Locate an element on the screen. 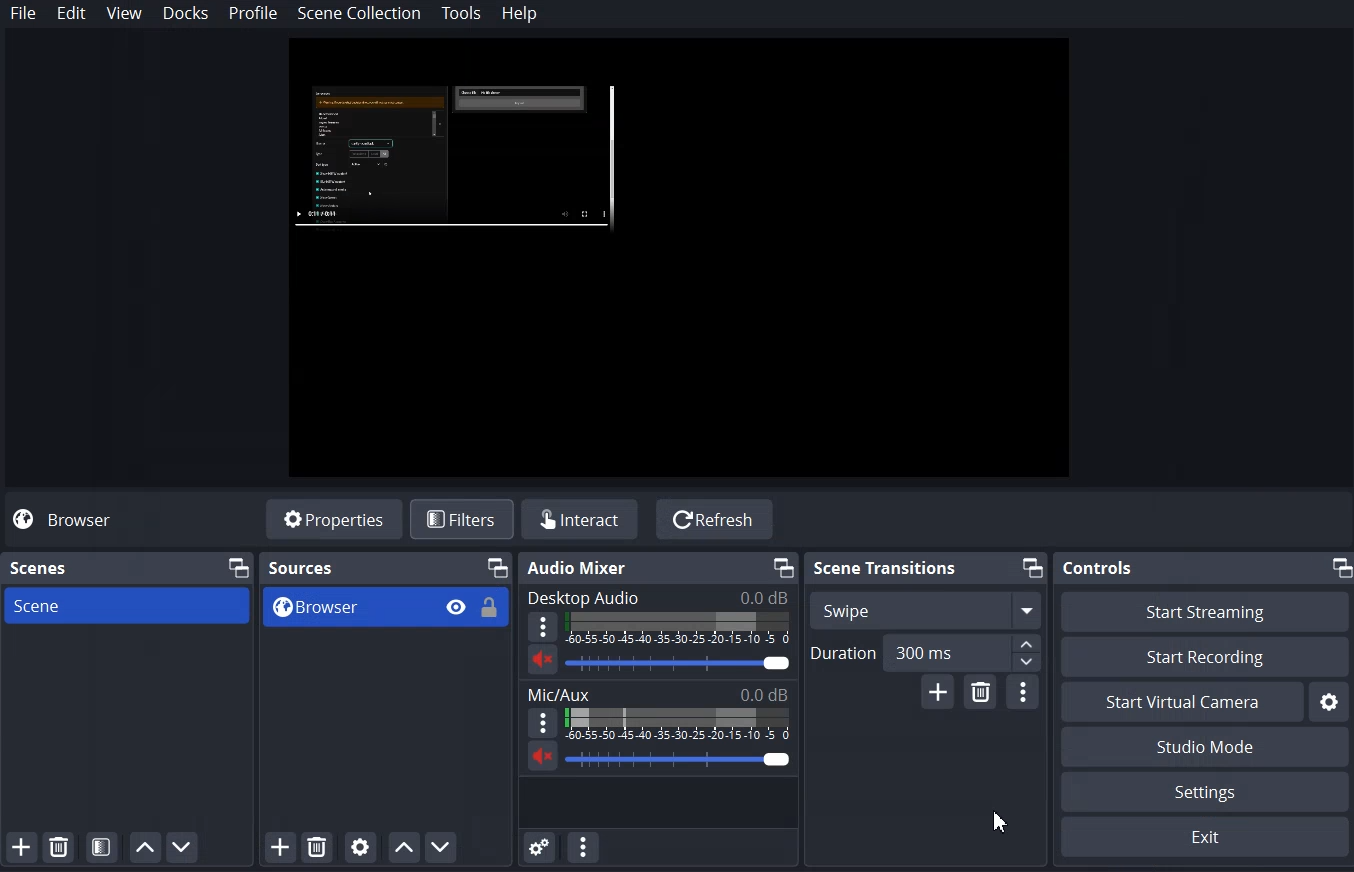  Mic/Aux is located at coordinates (658, 693).